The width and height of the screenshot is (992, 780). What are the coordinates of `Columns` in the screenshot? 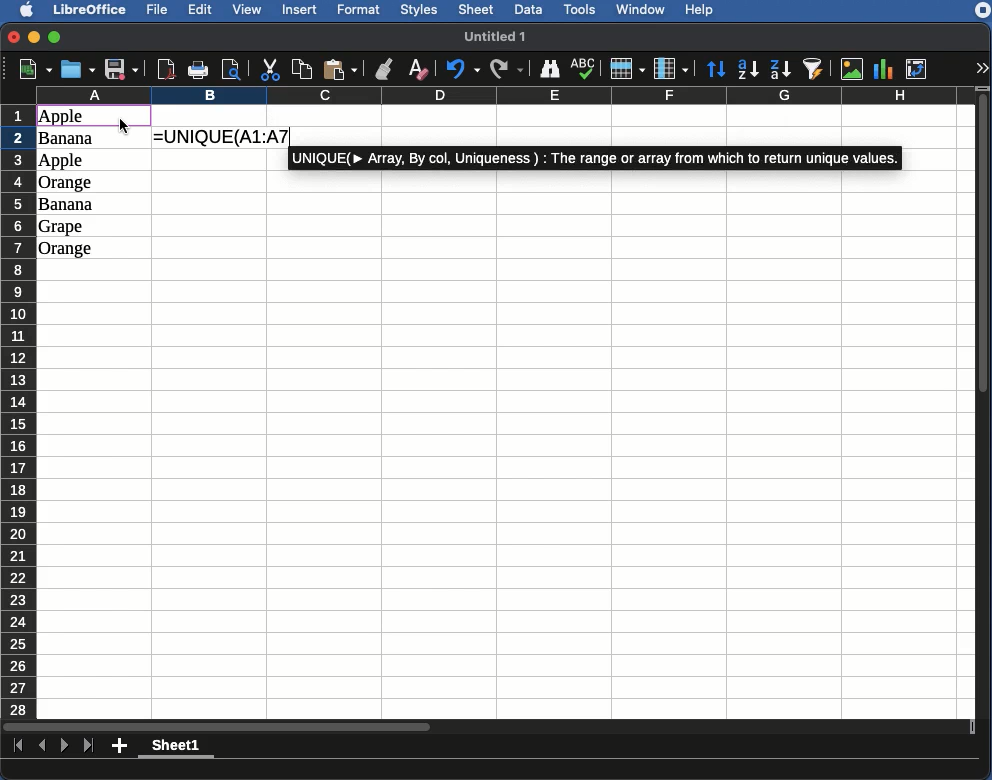 It's located at (502, 95).